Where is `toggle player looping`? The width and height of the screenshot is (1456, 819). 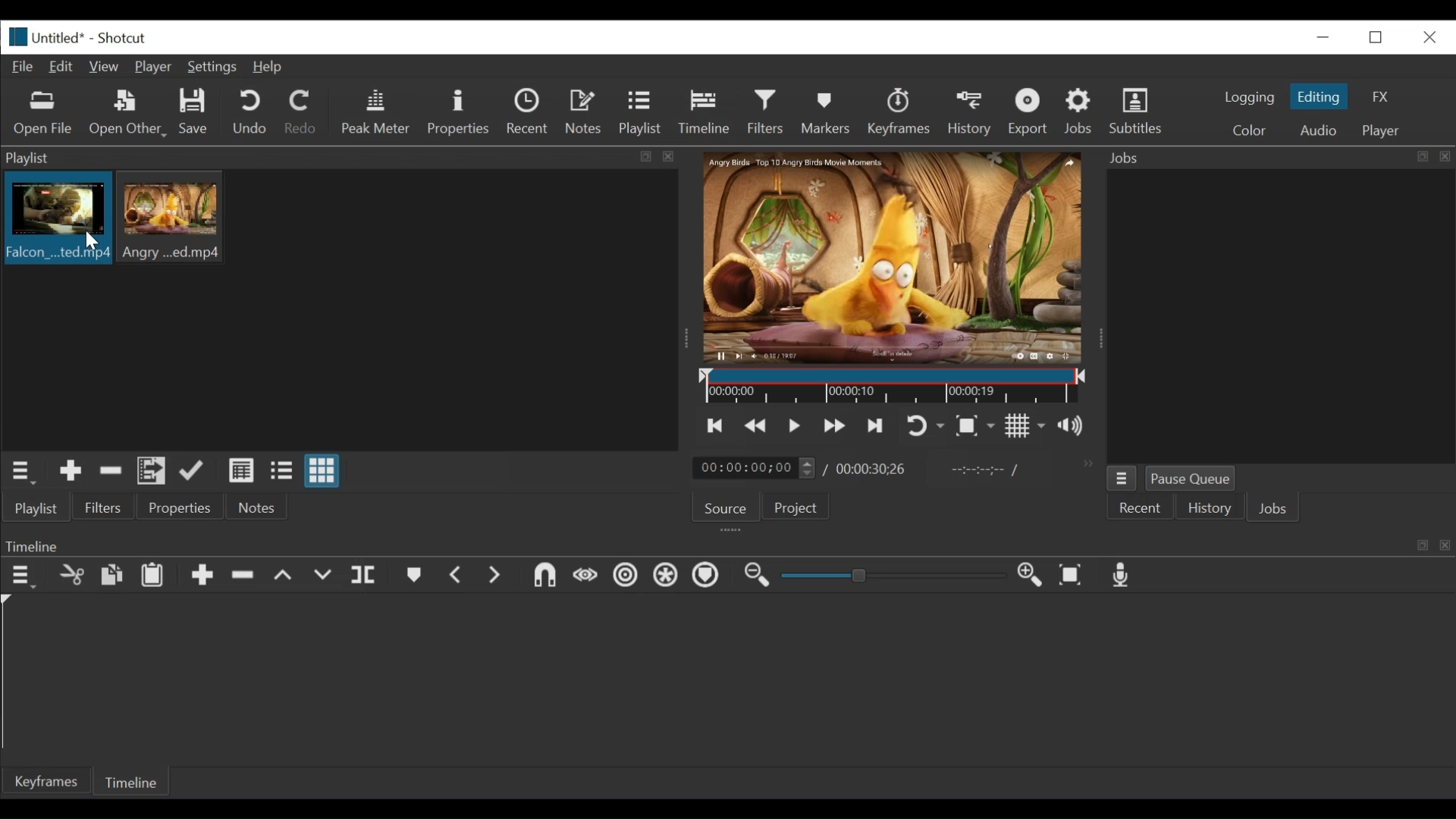 toggle player looping is located at coordinates (925, 427).